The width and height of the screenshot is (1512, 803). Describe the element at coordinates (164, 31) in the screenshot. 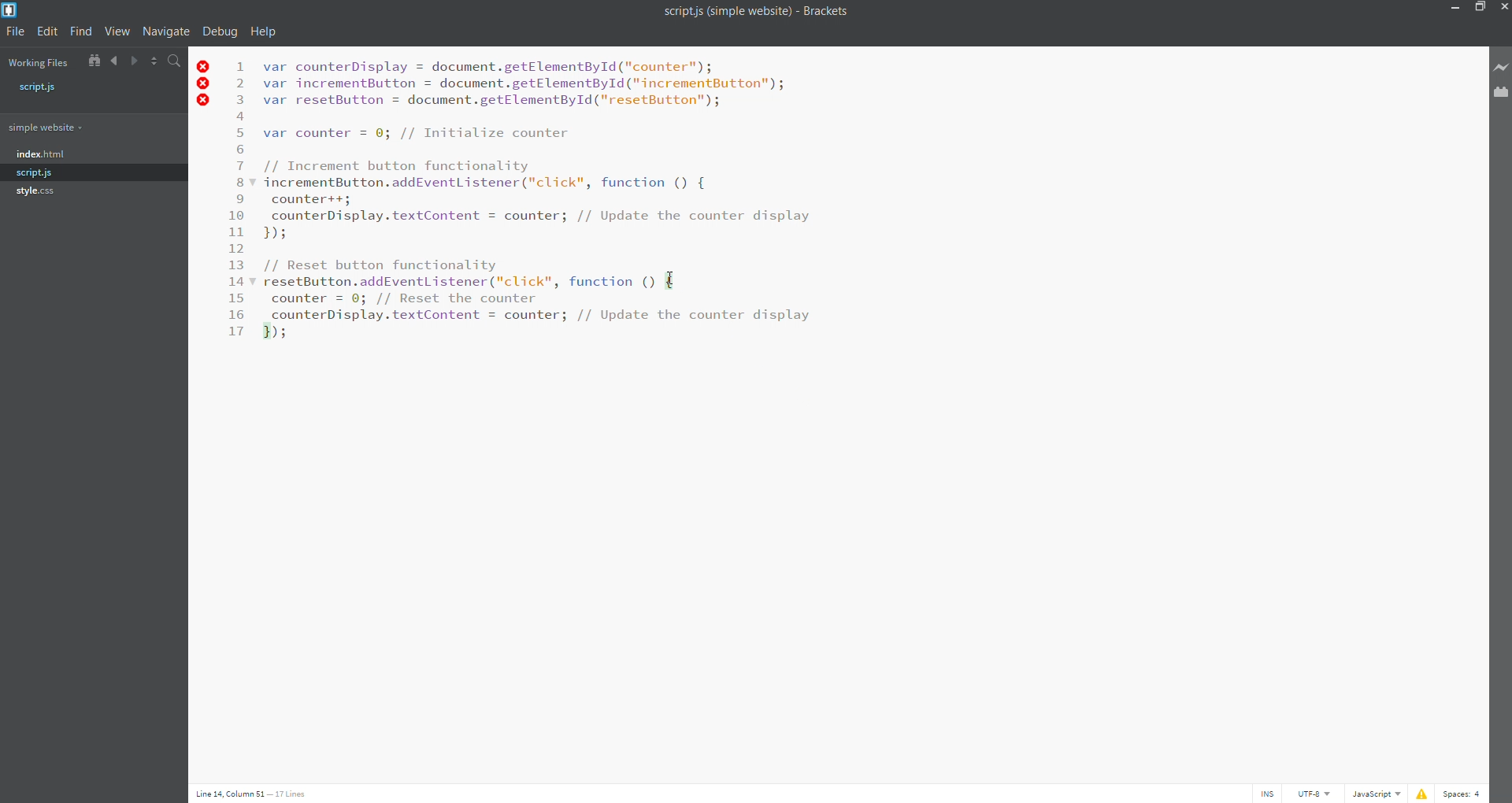

I see `navigate` at that location.